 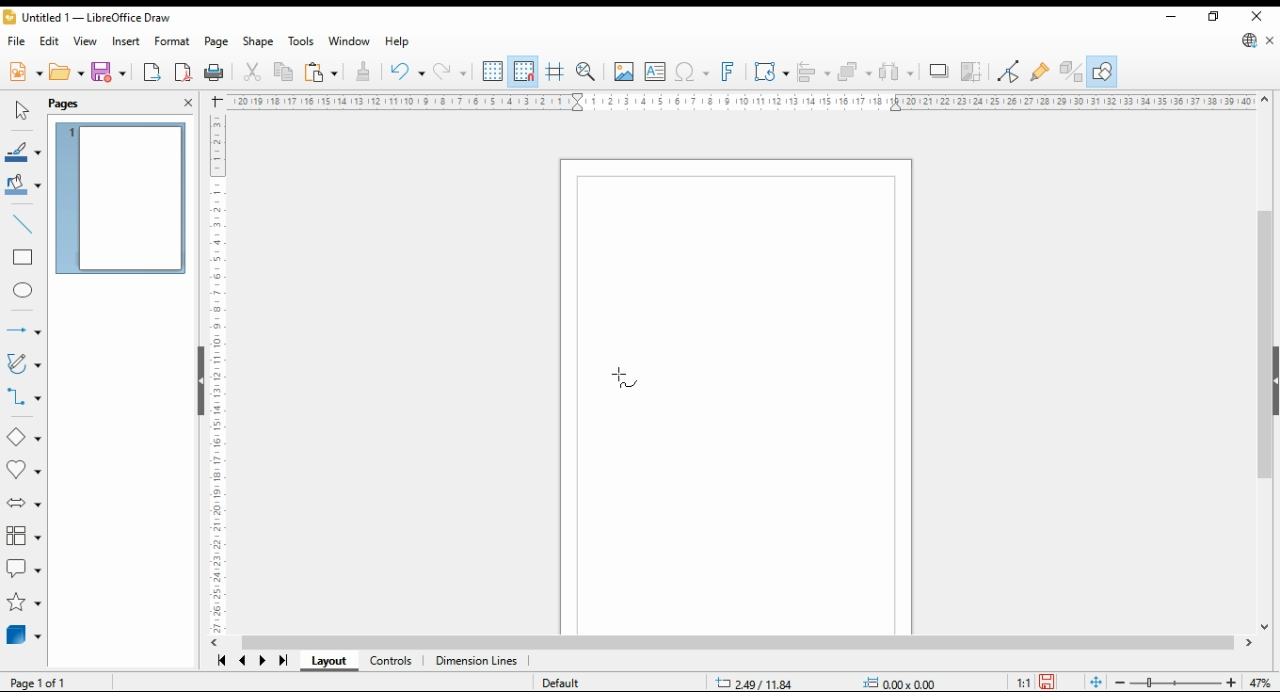 What do you see at coordinates (1096, 682) in the screenshot?
I see `fit document to window` at bounding box center [1096, 682].